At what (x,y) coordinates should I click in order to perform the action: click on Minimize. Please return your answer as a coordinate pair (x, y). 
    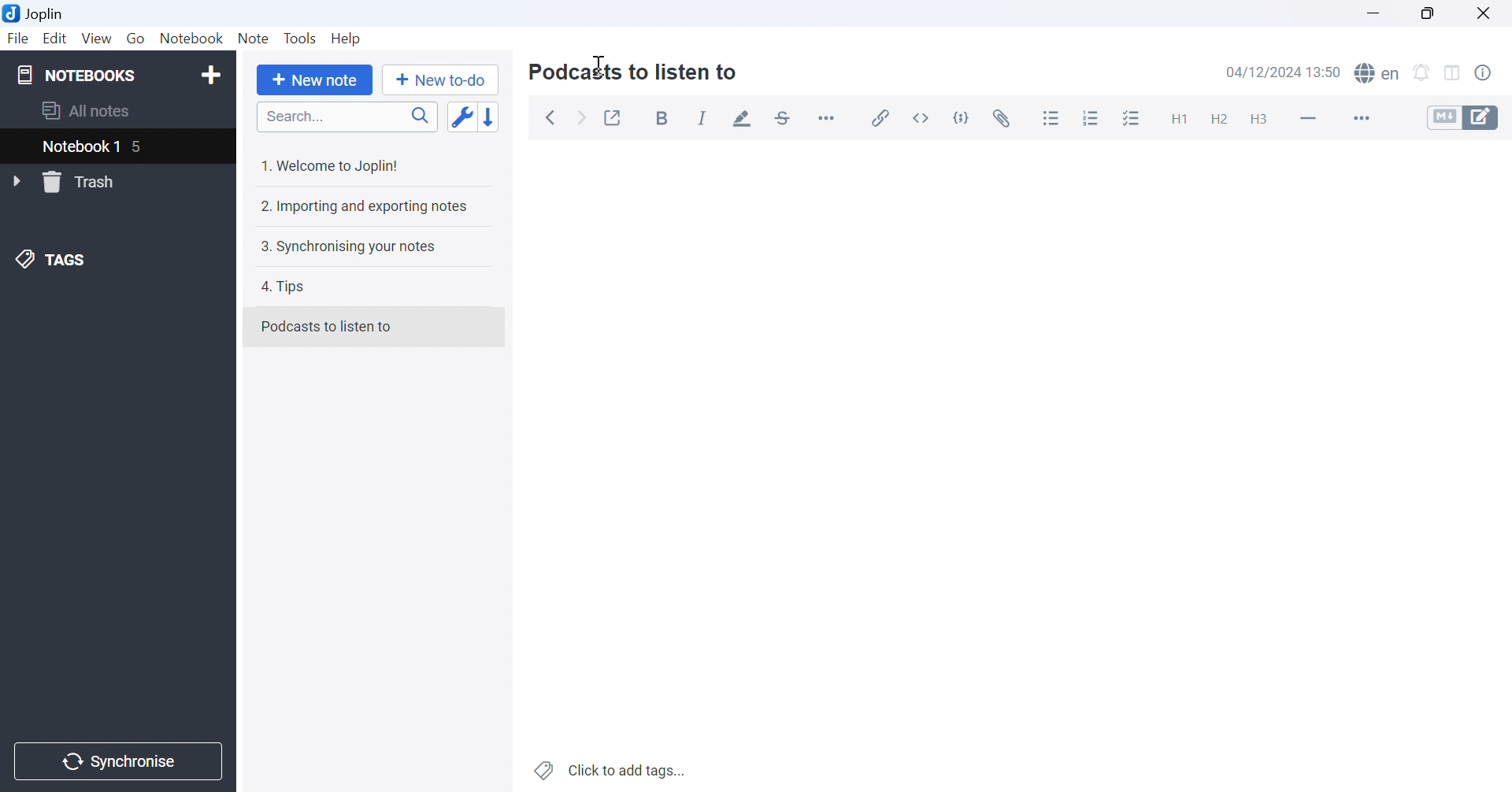
    Looking at the image, I should click on (1372, 12).